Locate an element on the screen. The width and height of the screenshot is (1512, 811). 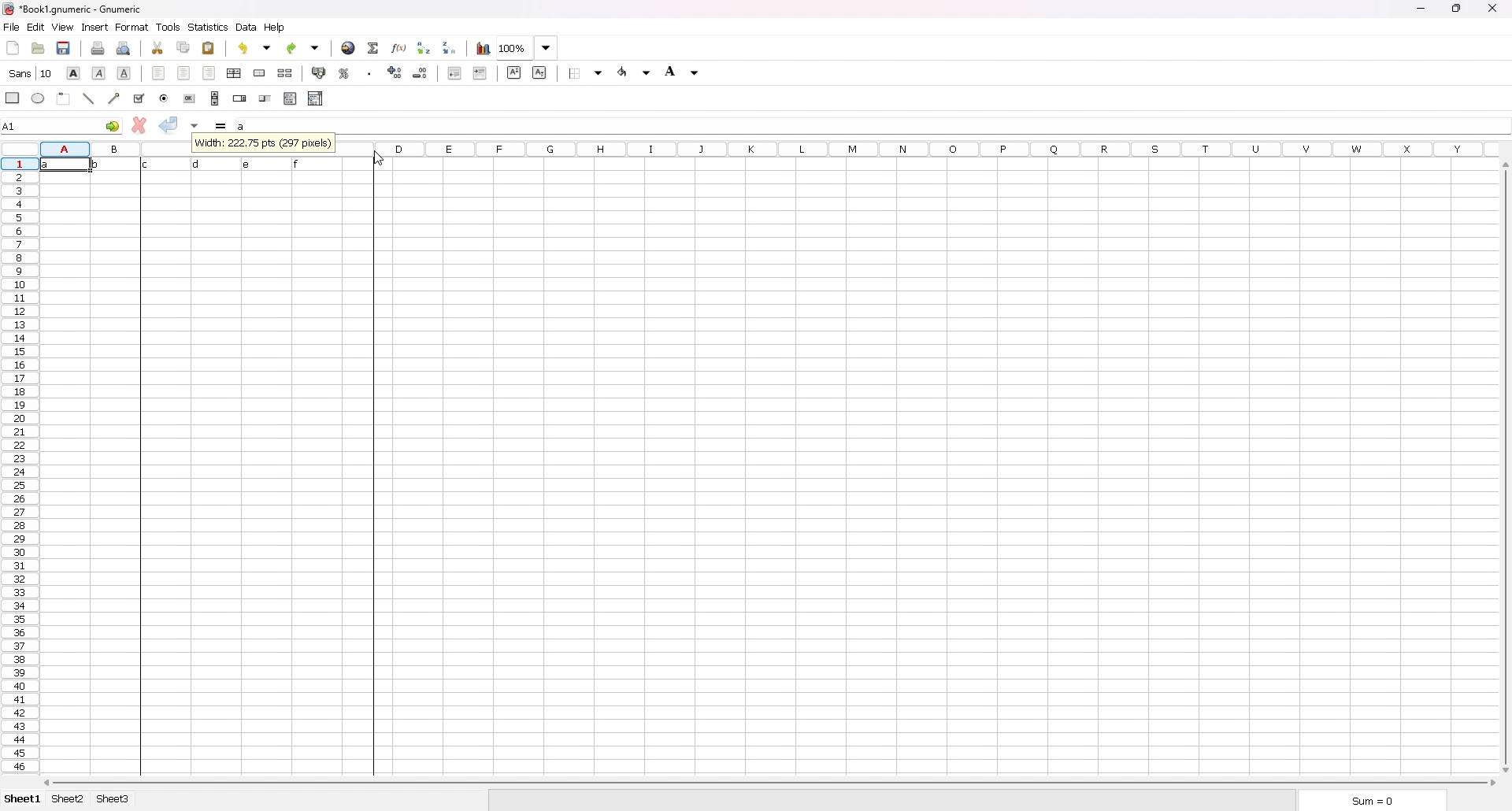
info is located at coordinates (265, 144).